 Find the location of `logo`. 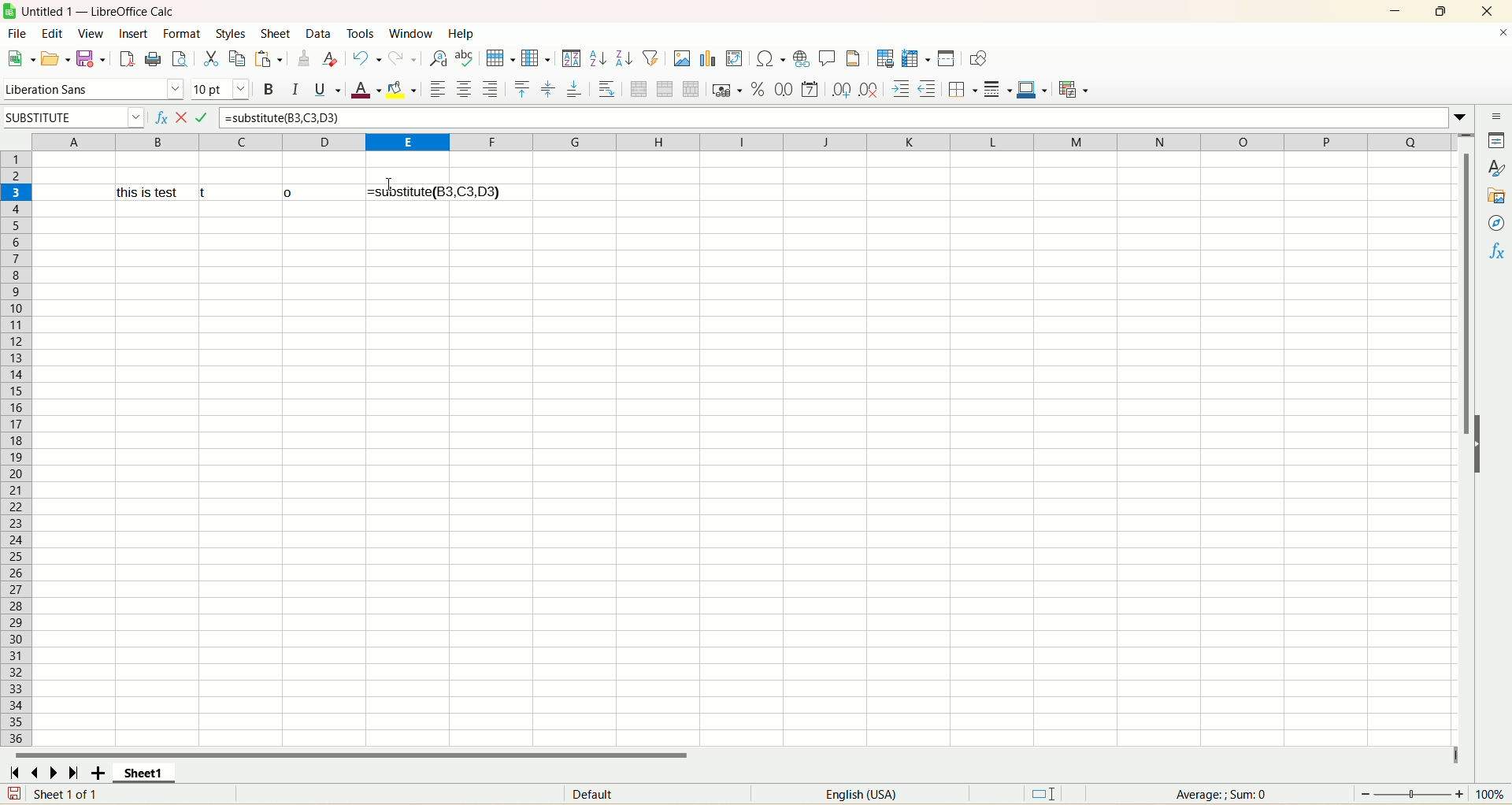

logo is located at coordinates (9, 12).